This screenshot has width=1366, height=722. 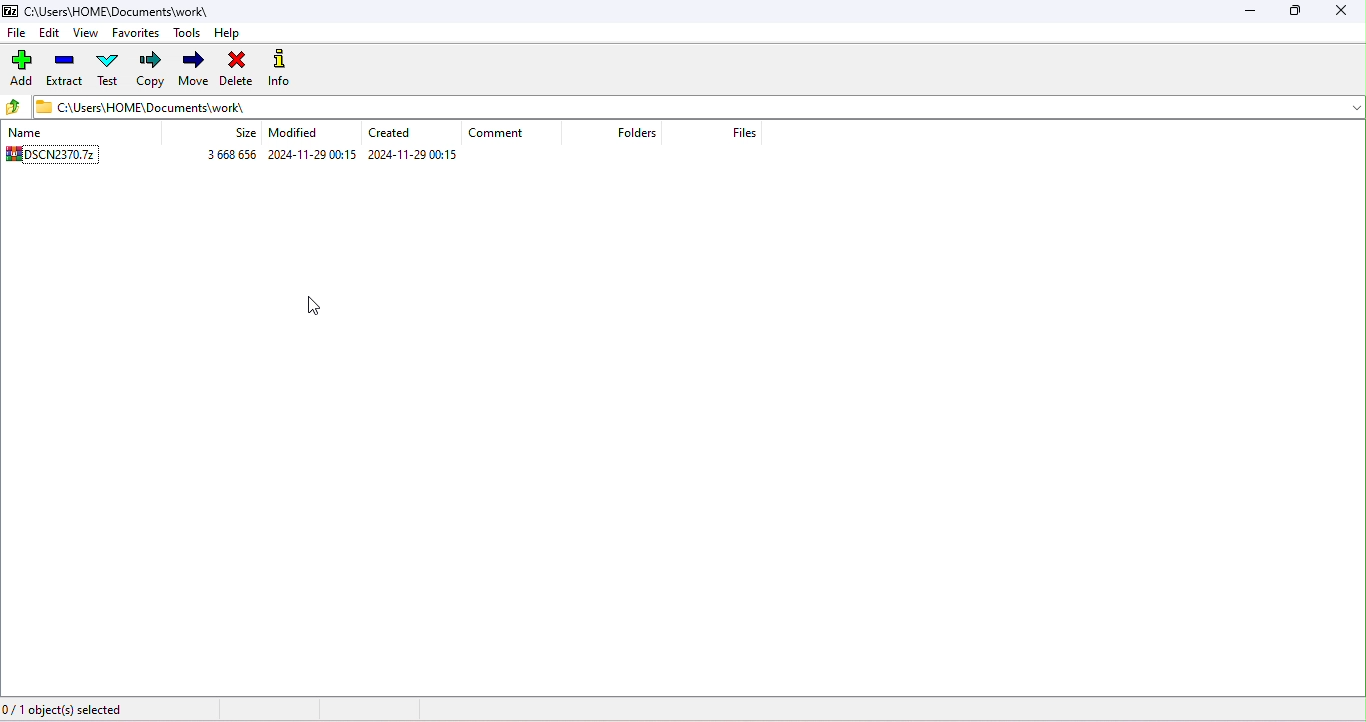 What do you see at coordinates (1347, 107) in the screenshot?
I see `drop down` at bounding box center [1347, 107].